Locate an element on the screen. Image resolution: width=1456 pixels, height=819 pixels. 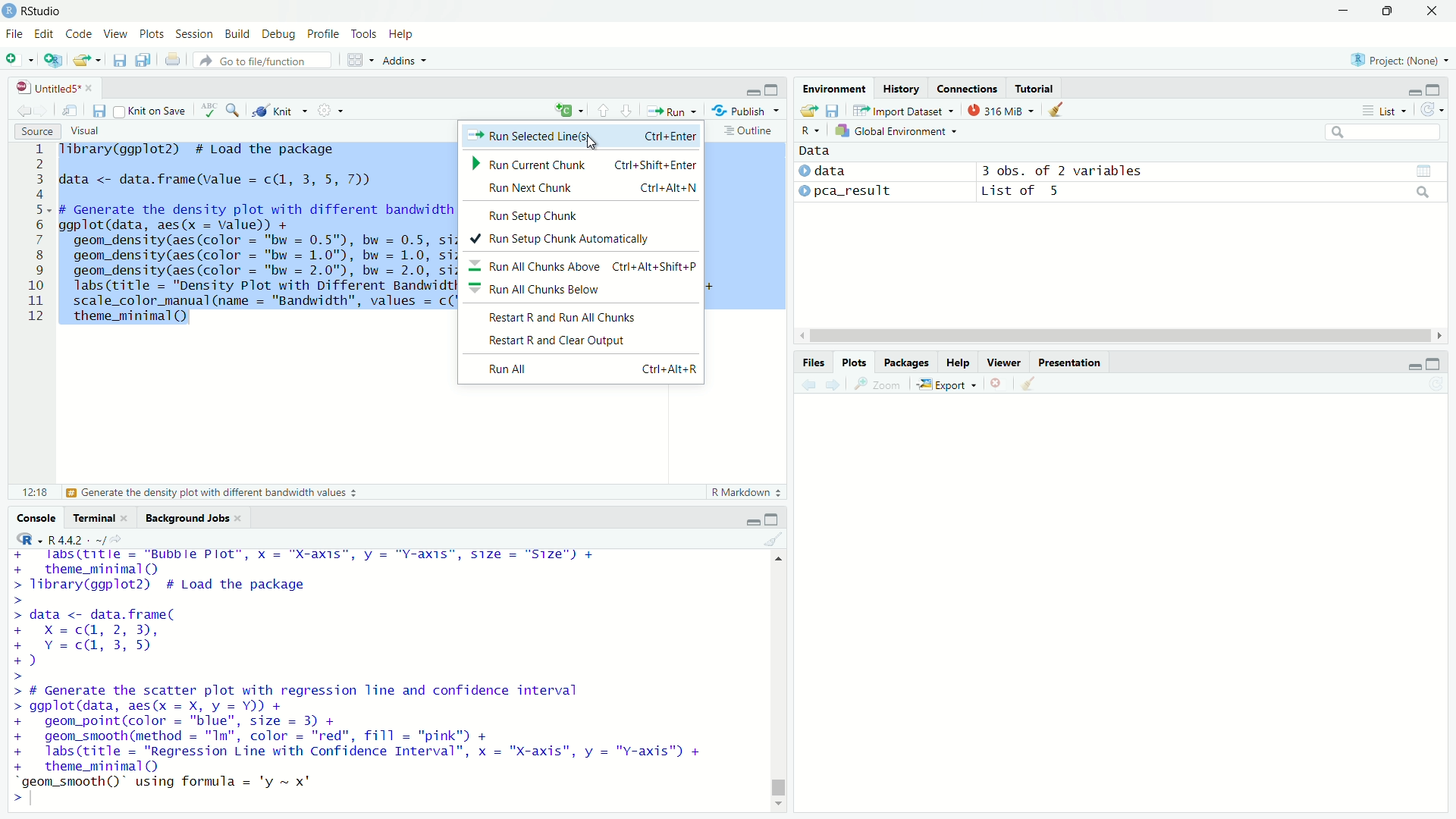
close is located at coordinates (239, 519).